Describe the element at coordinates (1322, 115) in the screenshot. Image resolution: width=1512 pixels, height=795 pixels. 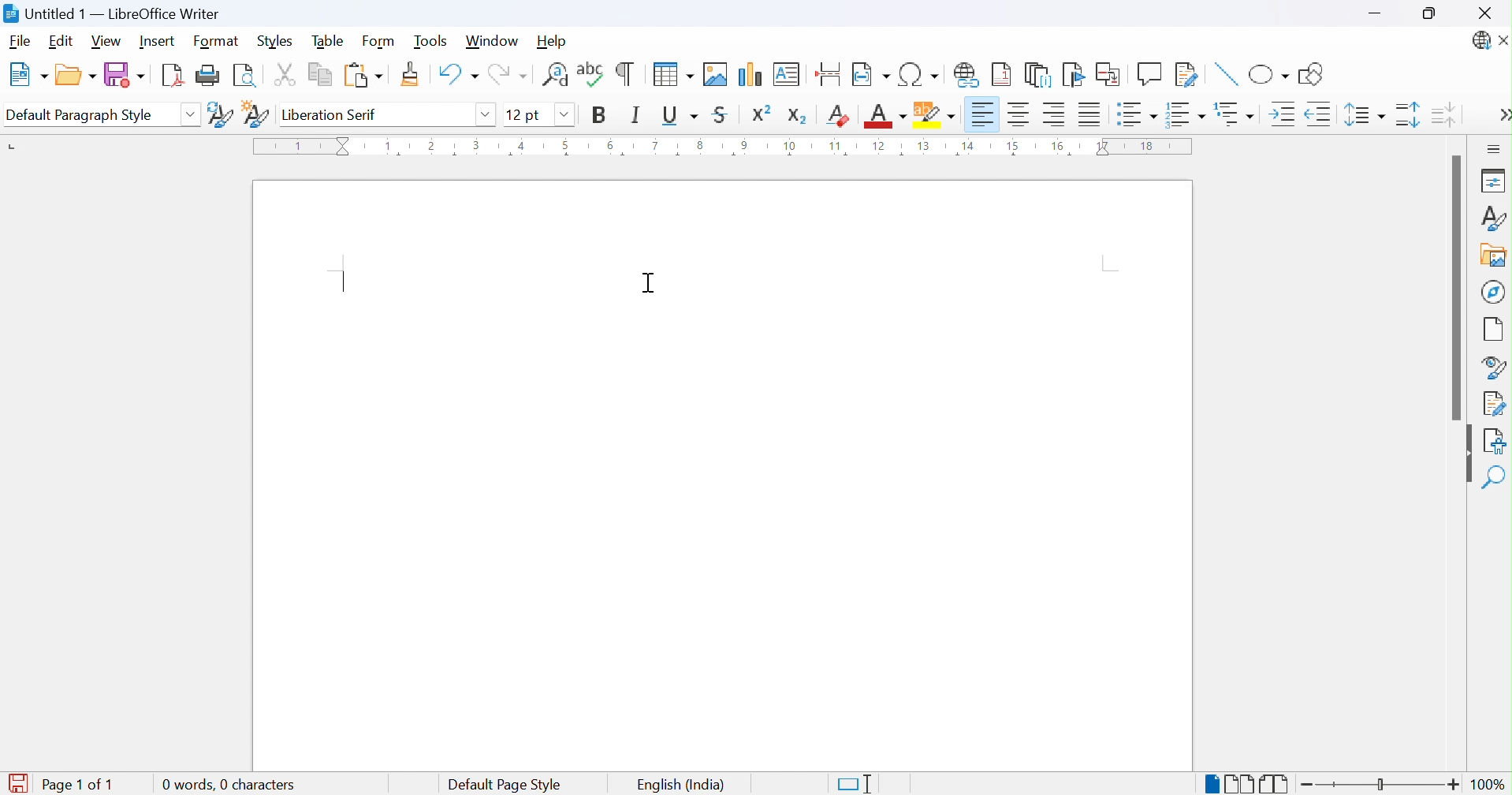
I see `Decrease indent` at that location.